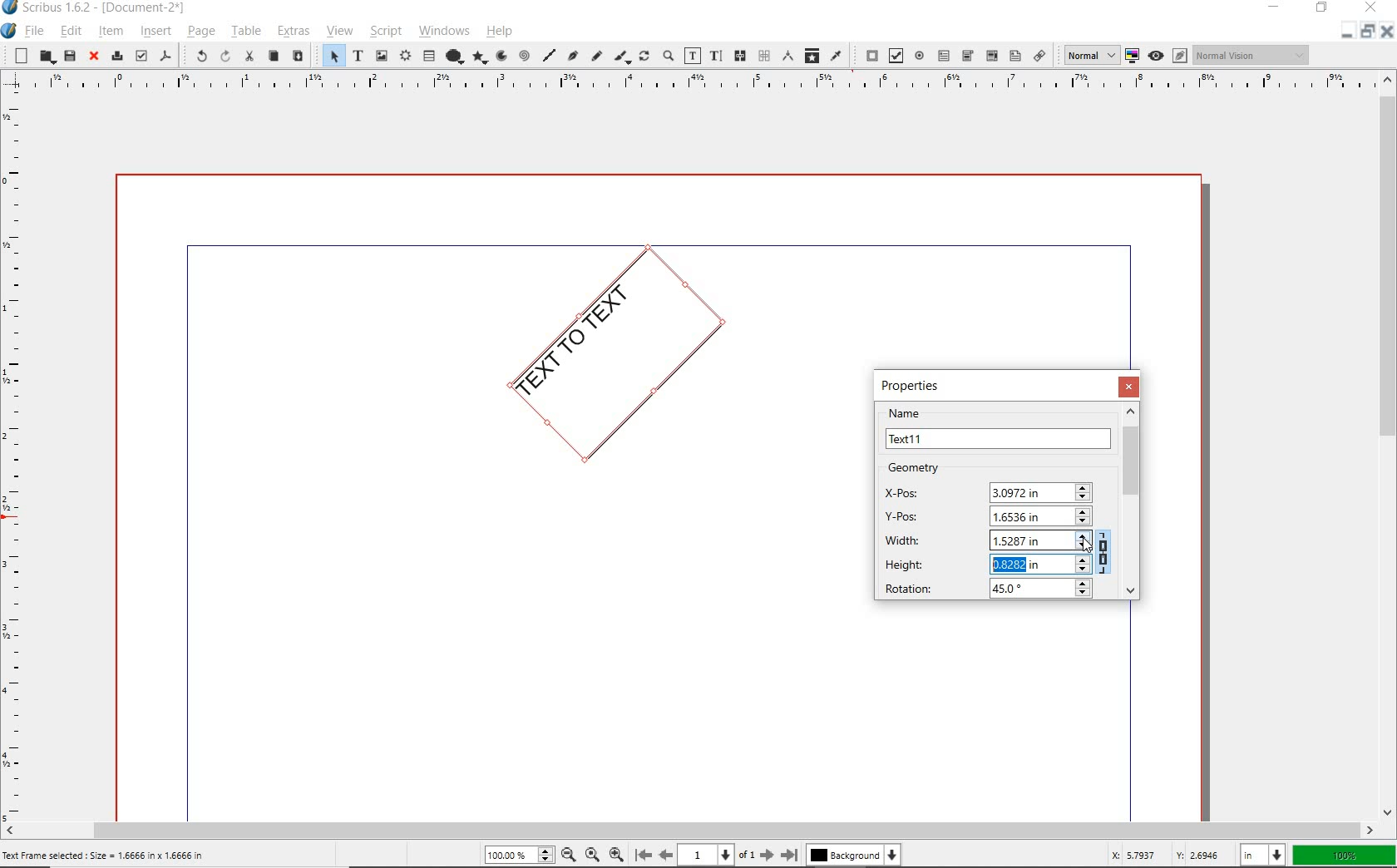 Image resolution: width=1397 pixels, height=868 pixels. Describe the element at coordinates (716, 55) in the screenshot. I see `edit text with story editor` at that location.